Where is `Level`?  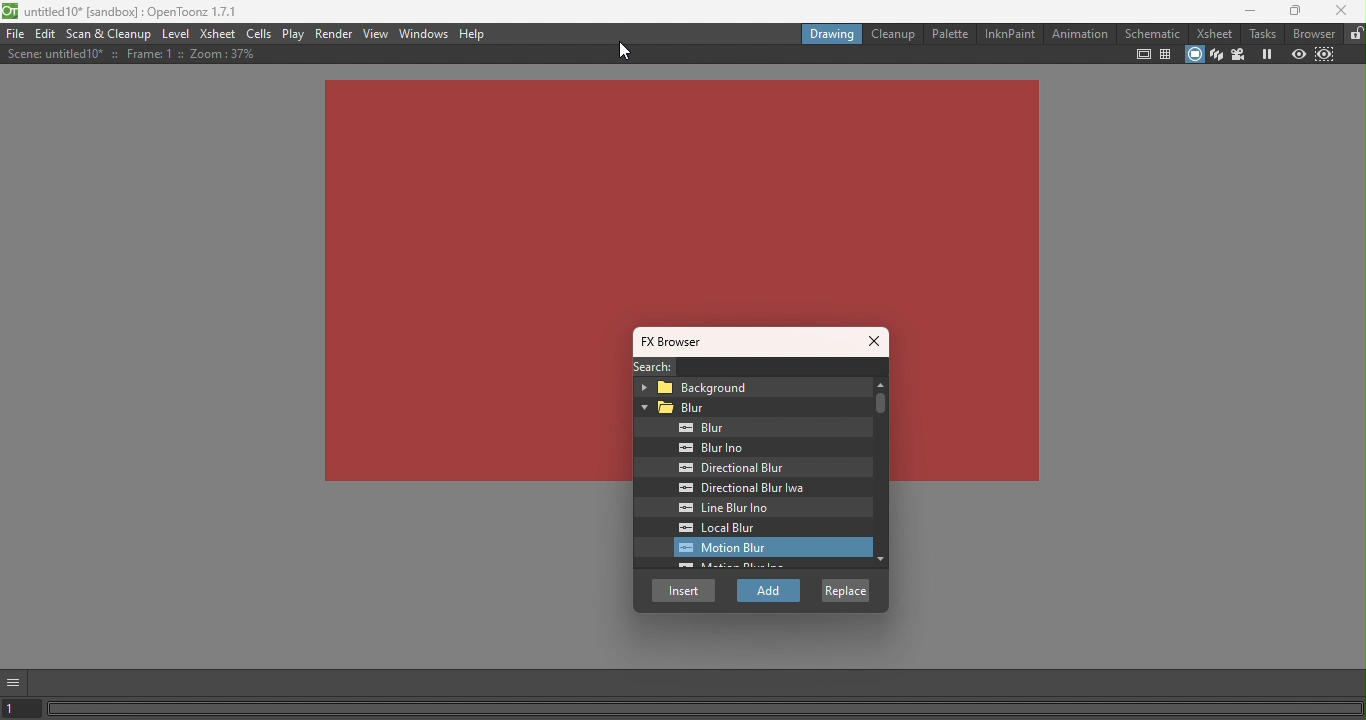
Level is located at coordinates (176, 35).